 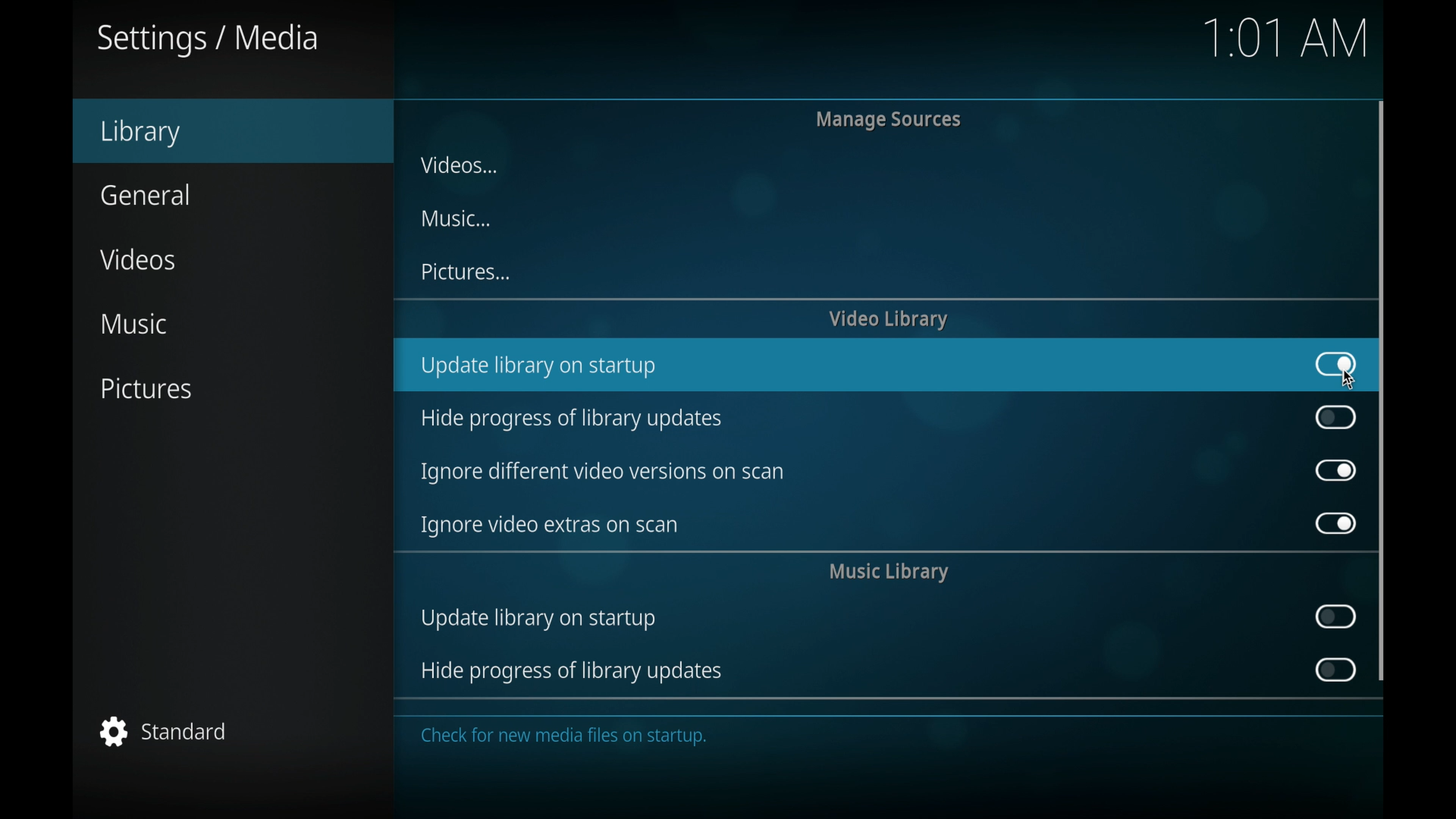 I want to click on music, so click(x=456, y=218).